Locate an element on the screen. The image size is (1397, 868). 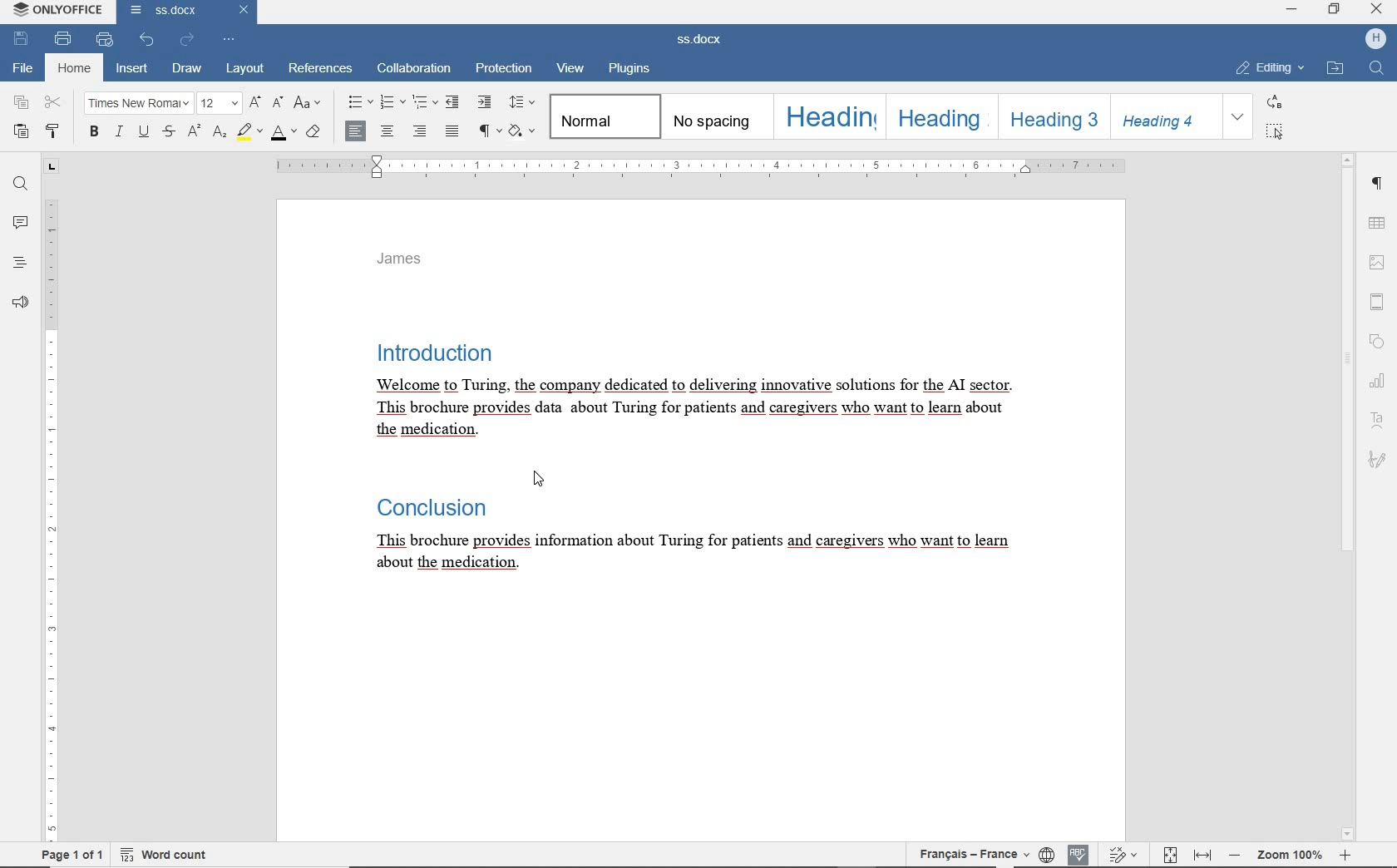
TEXT is located at coordinates (698, 384).